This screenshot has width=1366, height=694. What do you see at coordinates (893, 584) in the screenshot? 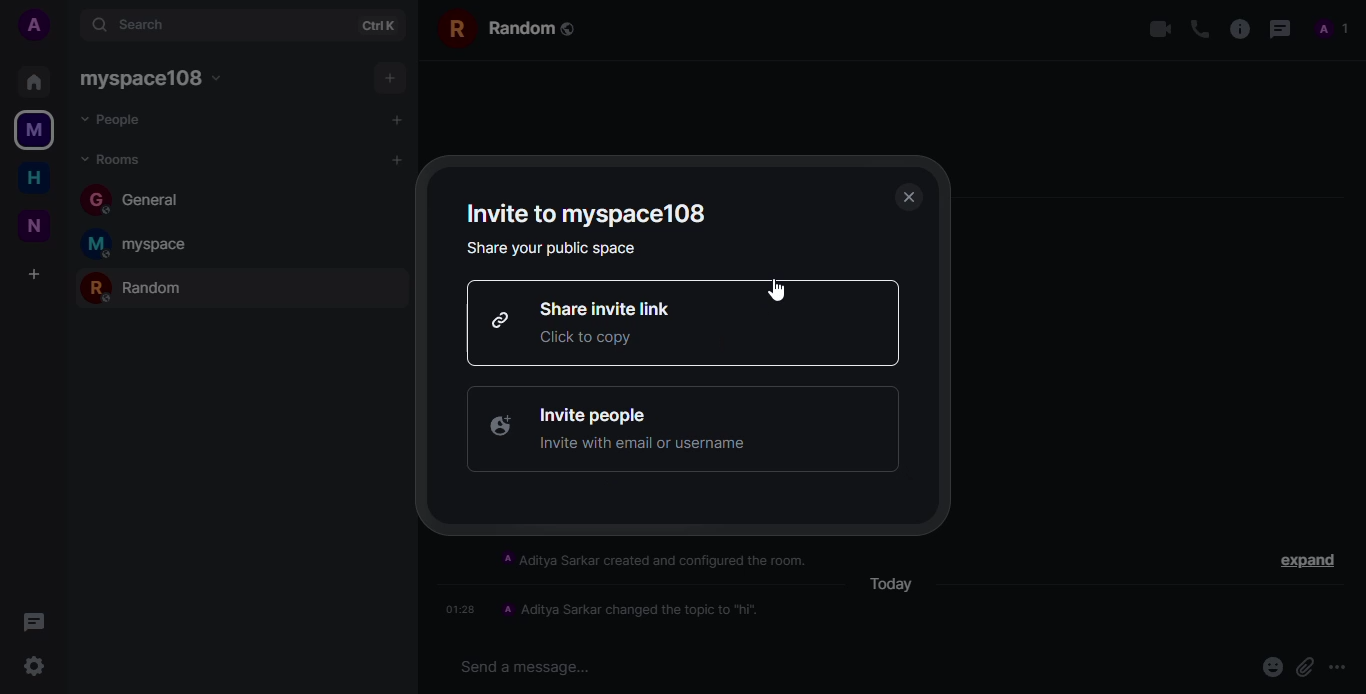
I see `today` at bounding box center [893, 584].